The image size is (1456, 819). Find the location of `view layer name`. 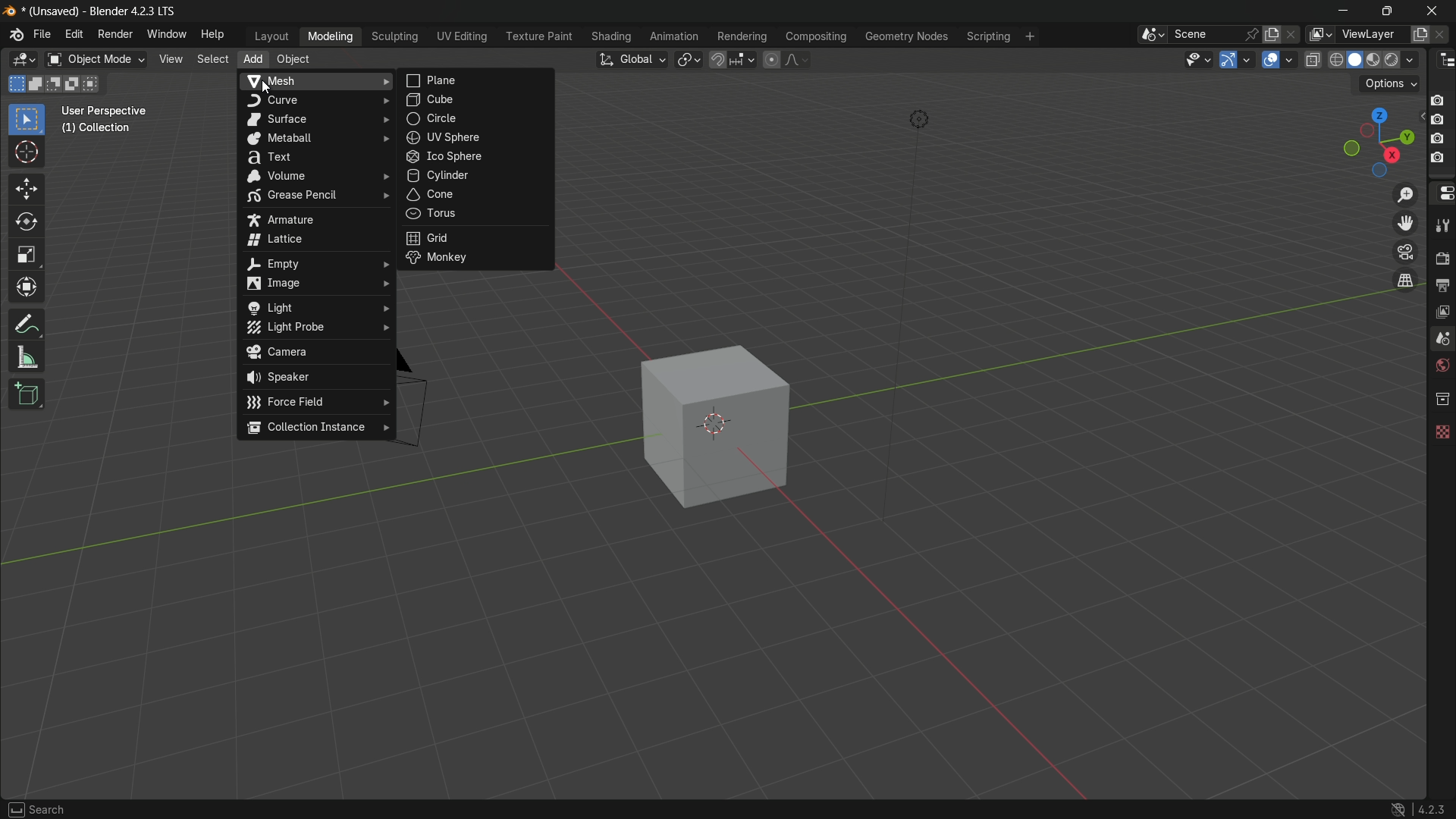

view layer name is located at coordinates (1372, 34).